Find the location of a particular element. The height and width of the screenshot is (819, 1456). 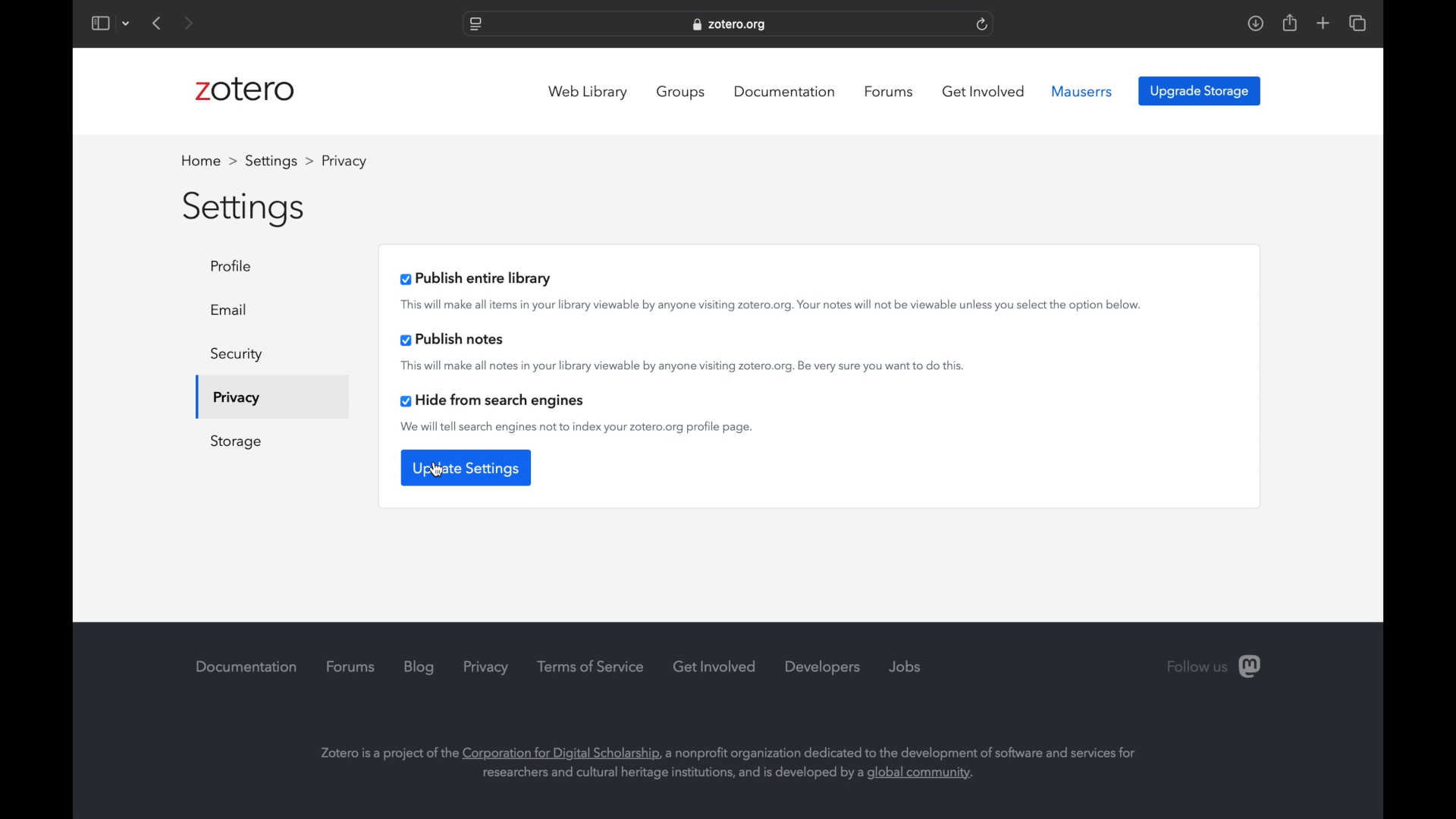

previous is located at coordinates (158, 23).